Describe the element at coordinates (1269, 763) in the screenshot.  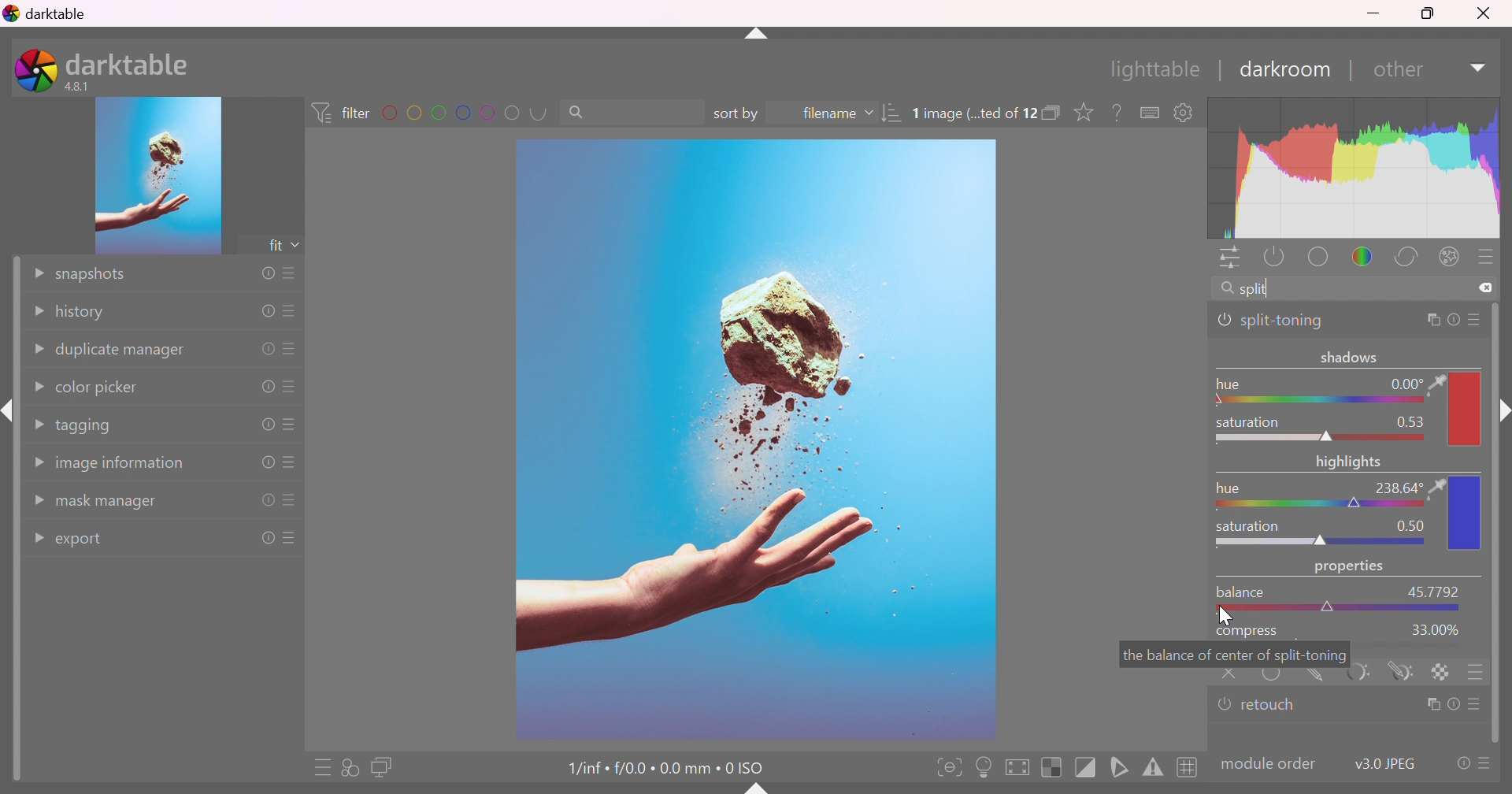
I see `modulecolor` at that location.